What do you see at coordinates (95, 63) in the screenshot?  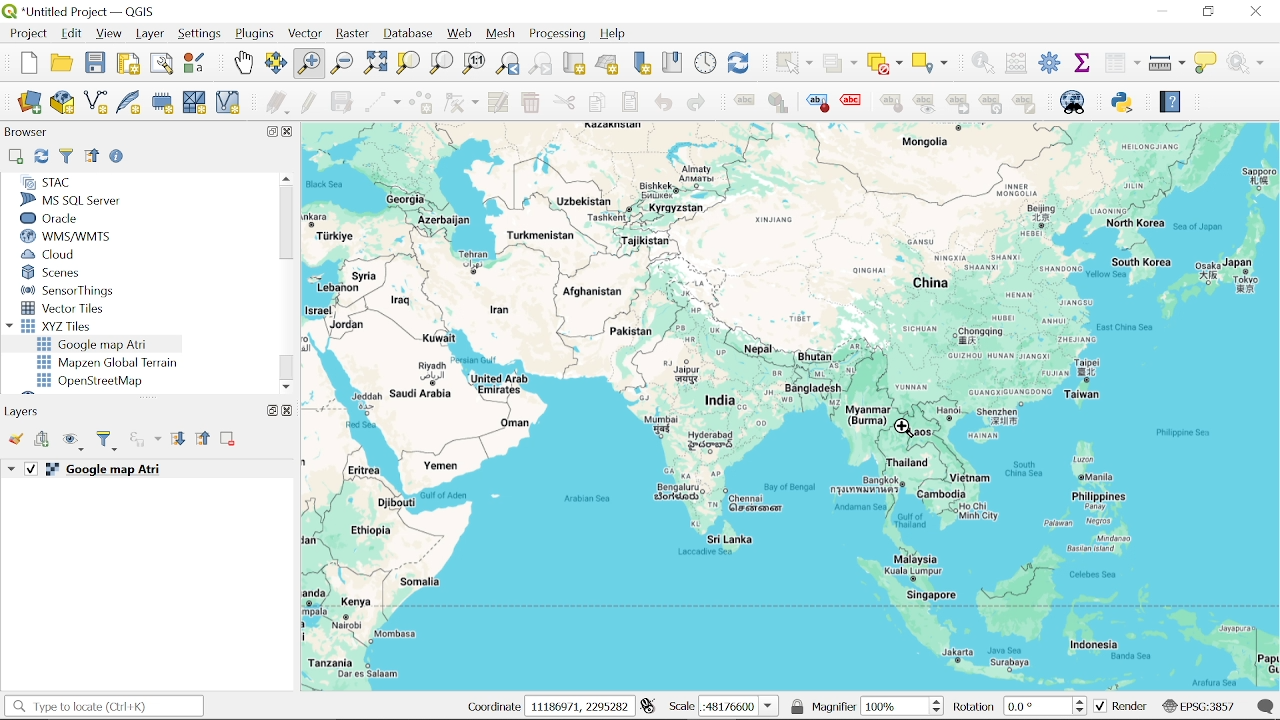 I see `Save project` at bounding box center [95, 63].